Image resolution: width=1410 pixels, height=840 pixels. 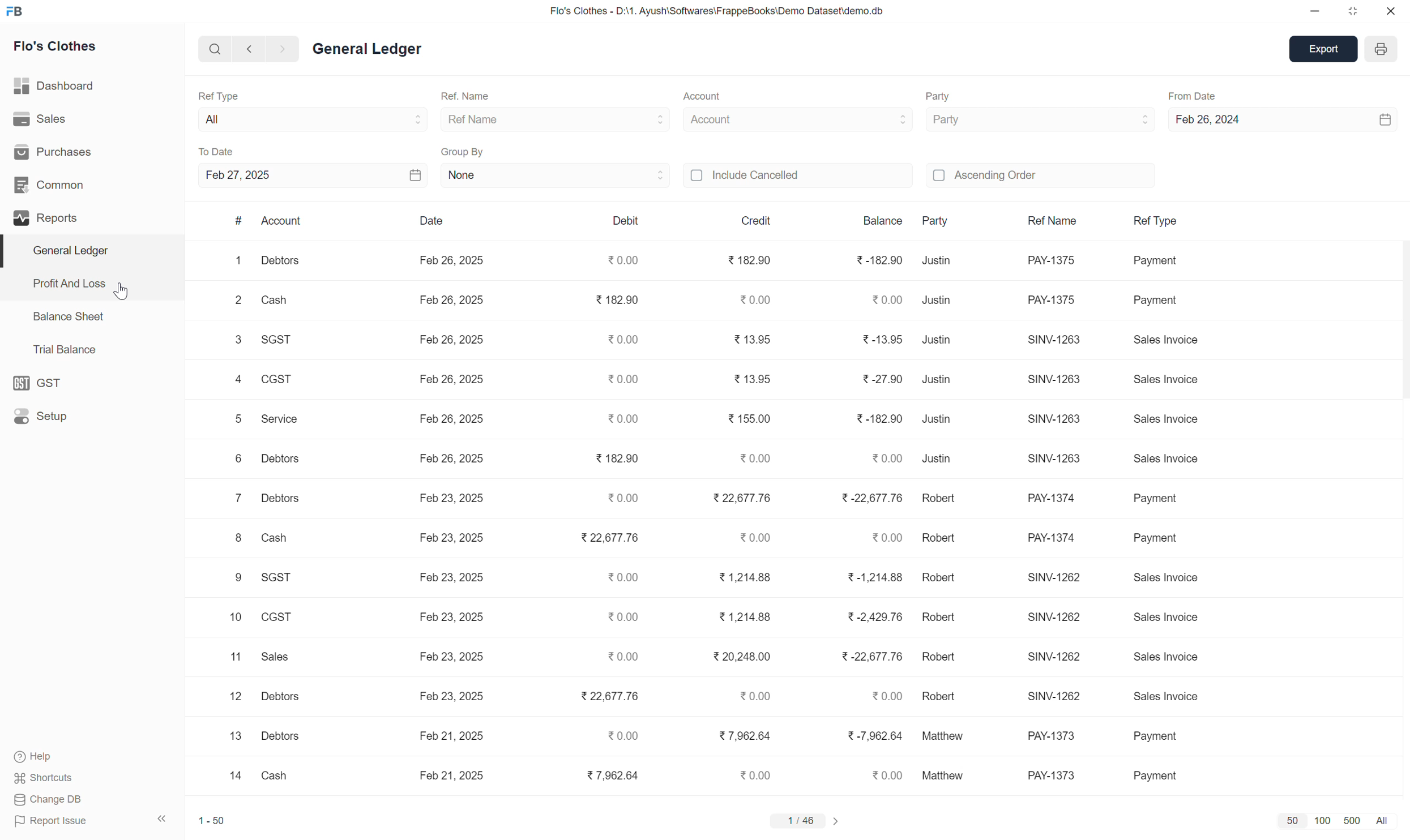 What do you see at coordinates (1392, 823) in the screenshot?
I see `All` at bounding box center [1392, 823].